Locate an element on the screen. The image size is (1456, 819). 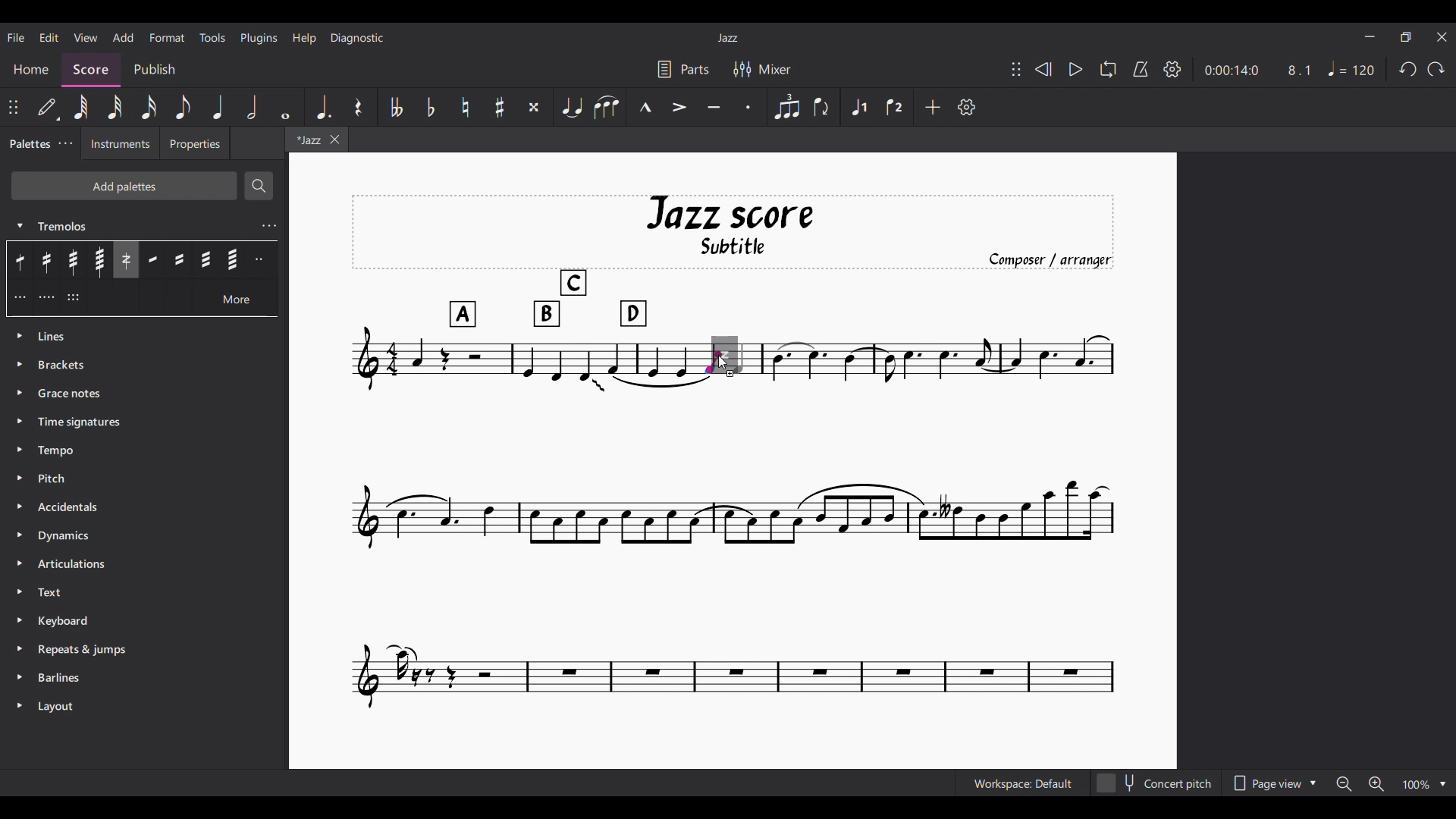
Current score is located at coordinates (733, 544).